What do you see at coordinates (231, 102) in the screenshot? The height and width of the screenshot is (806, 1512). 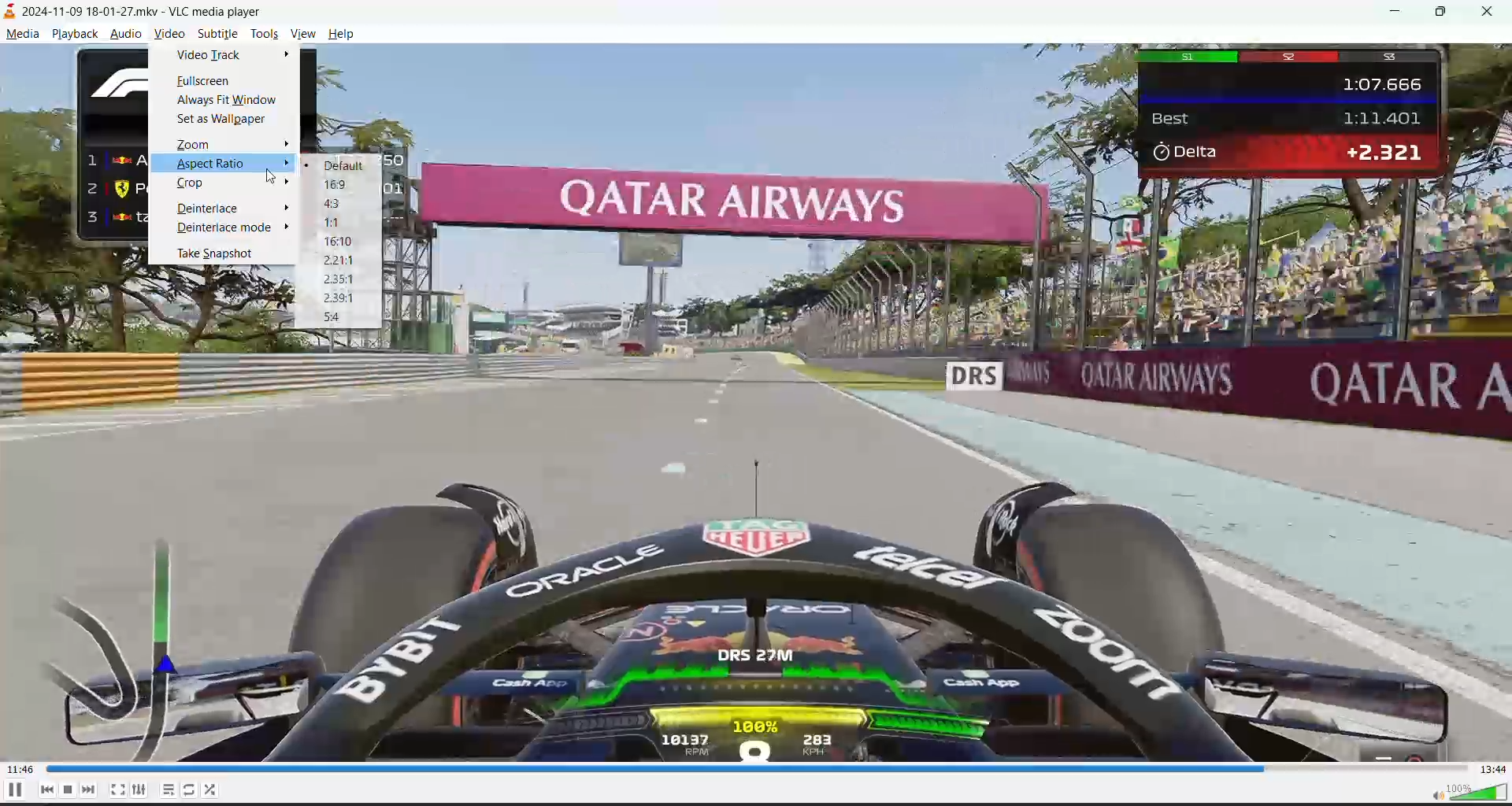 I see `always fit window` at bounding box center [231, 102].